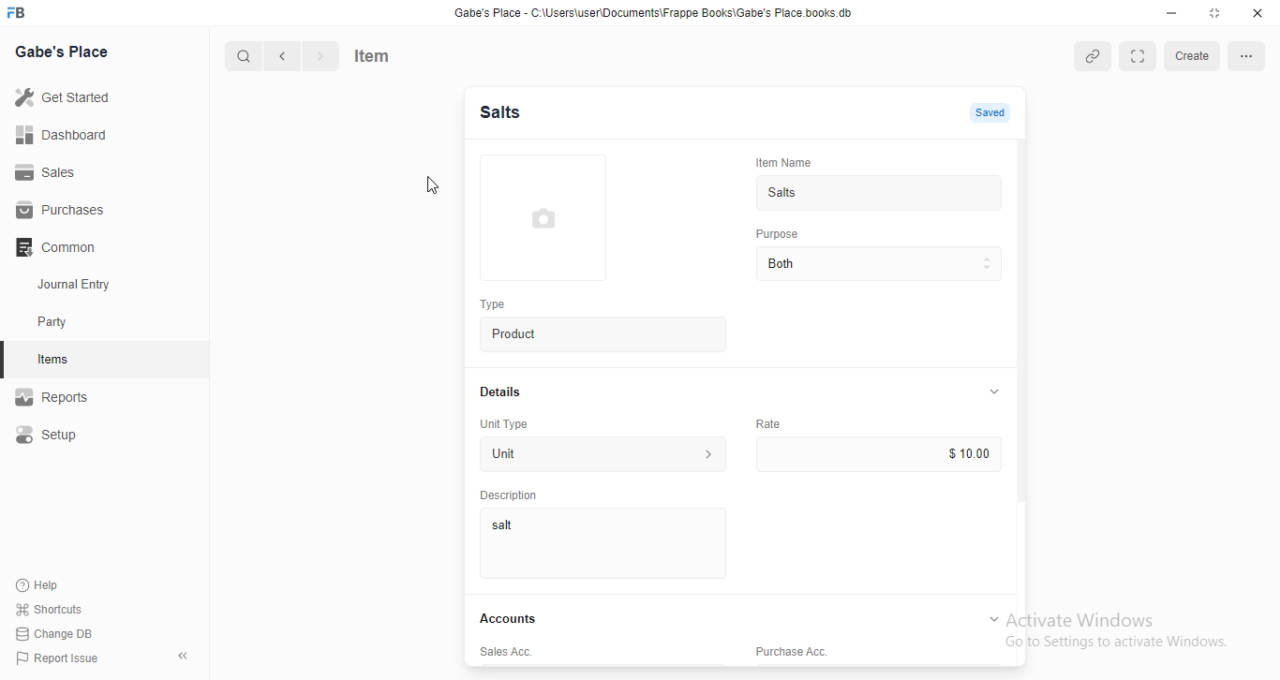 The image size is (1280, 680). What do you see at coordinates (318, 57) in the screenshot?
I see `next` at bounding box center [318, 57].